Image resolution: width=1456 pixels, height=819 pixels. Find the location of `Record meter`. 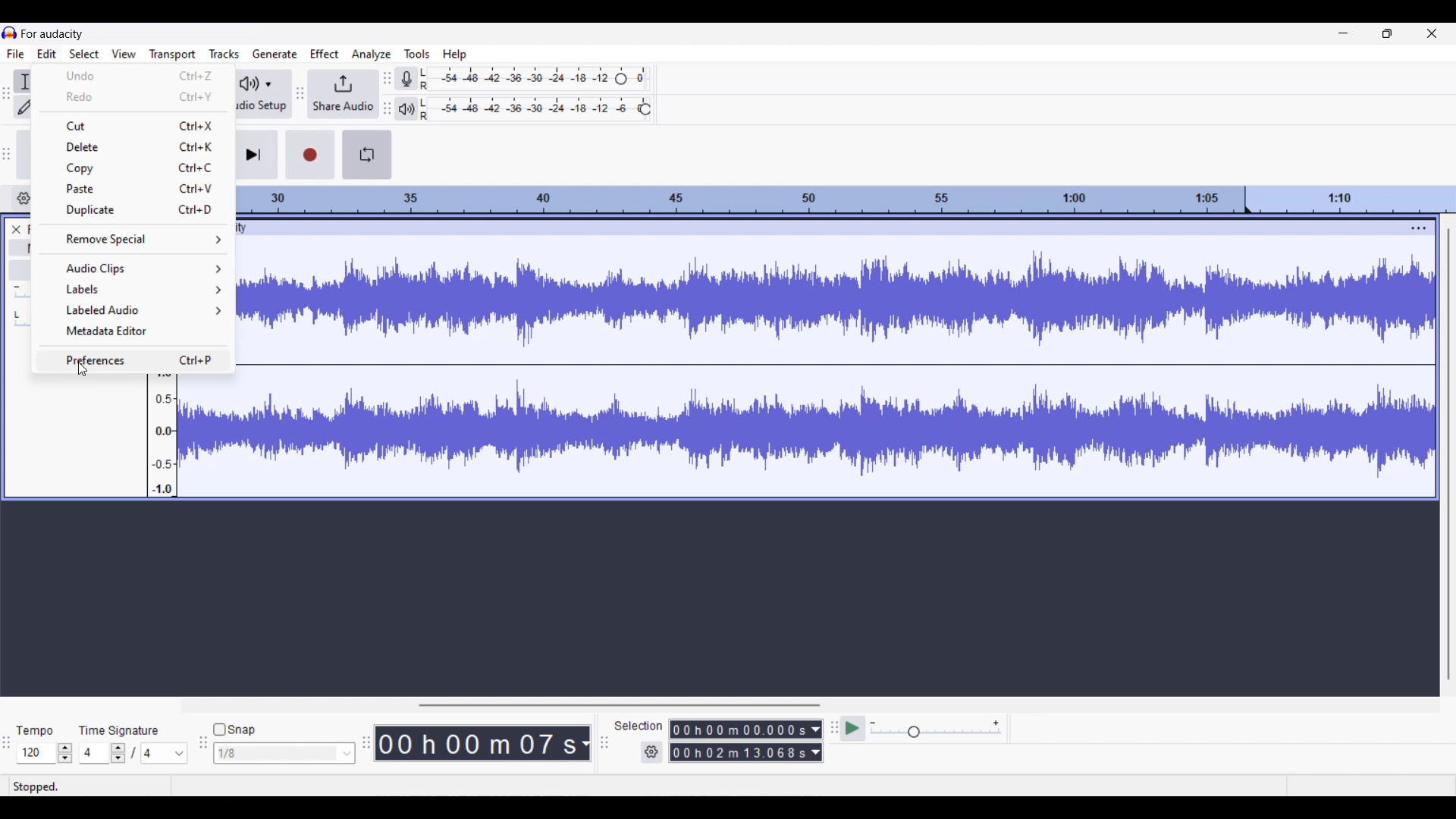

Record meter is located at coordinates (406, 78).